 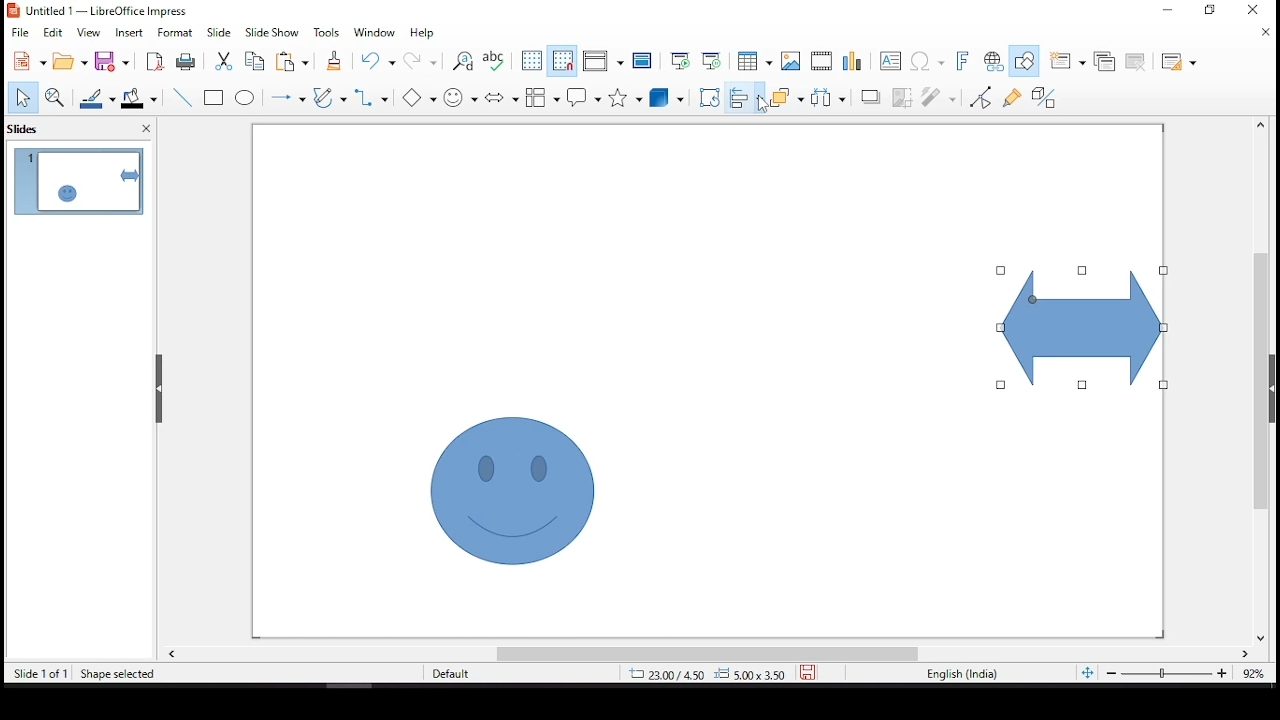 I want to click on crop image, so click(x=903, y=95).